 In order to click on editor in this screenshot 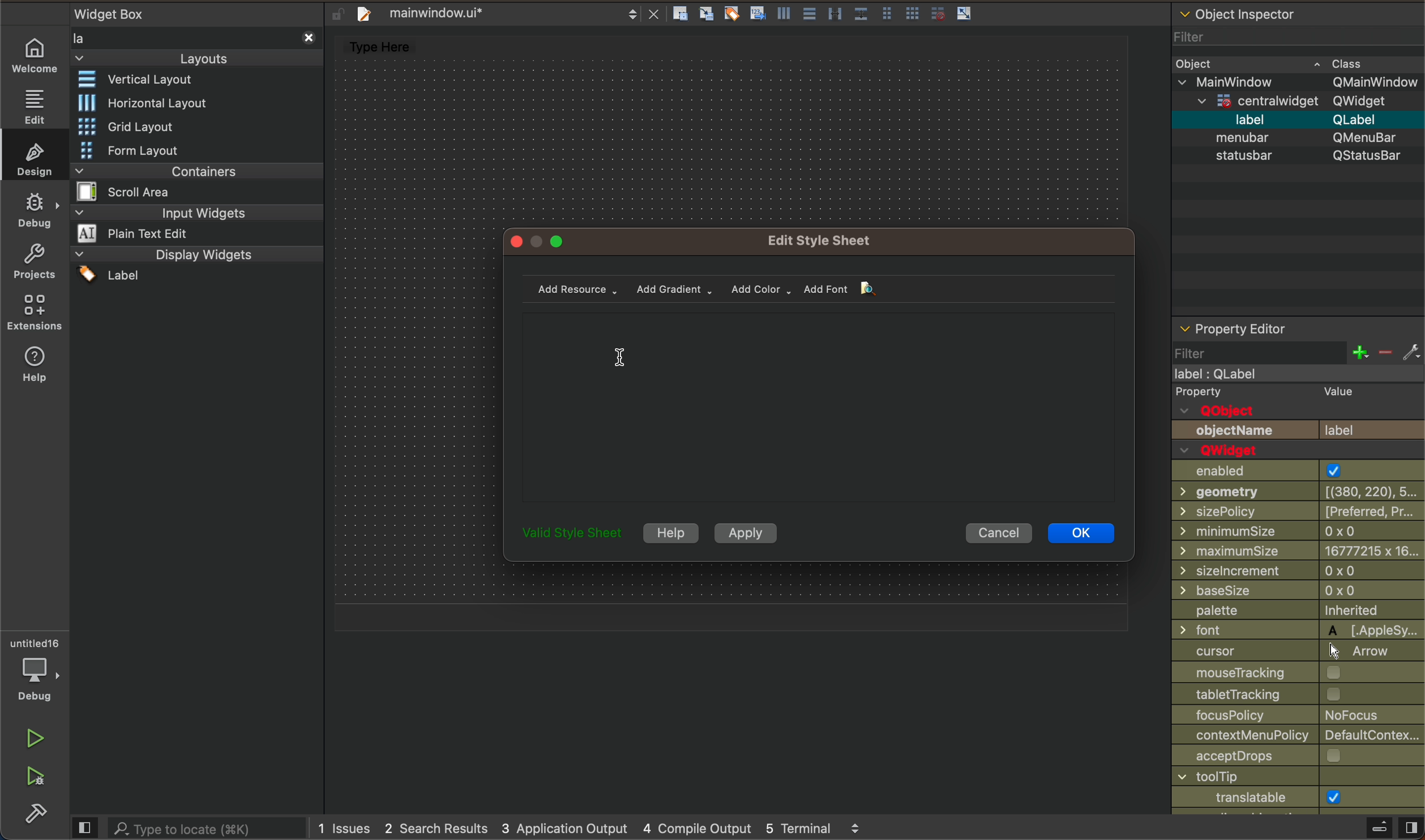, I will do `click(820, 403)`.